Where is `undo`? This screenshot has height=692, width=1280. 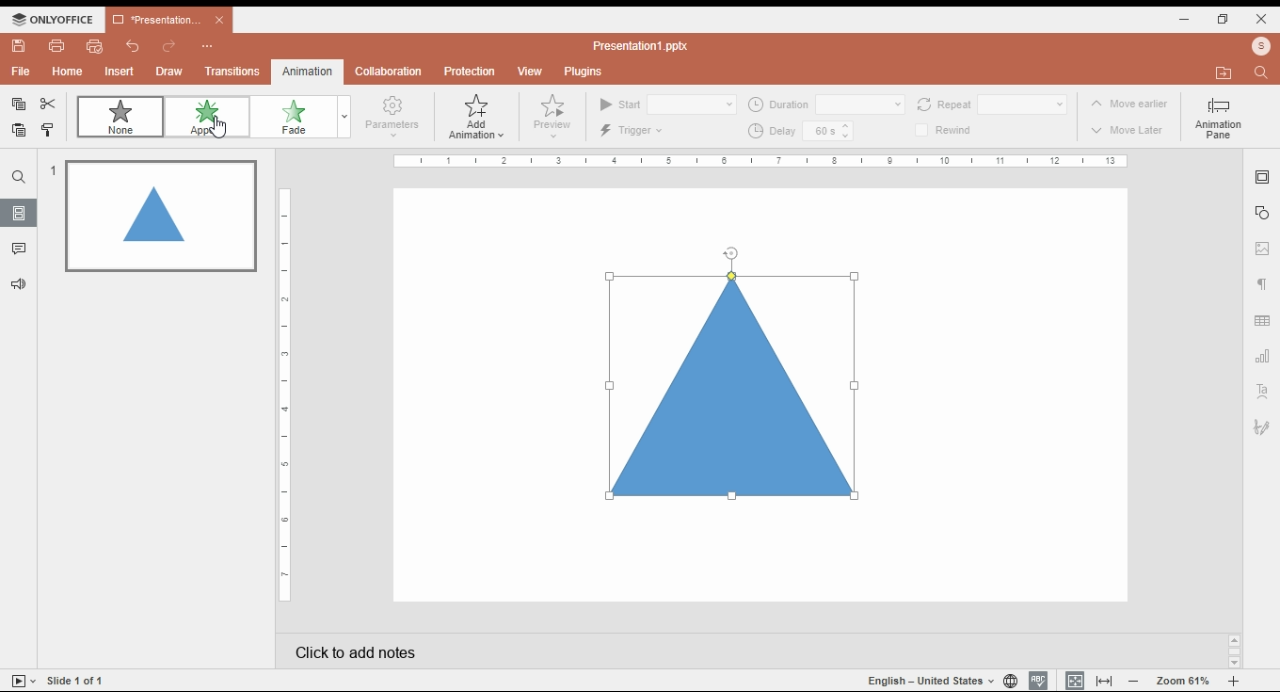
undo is located at coordinates (133, 46).